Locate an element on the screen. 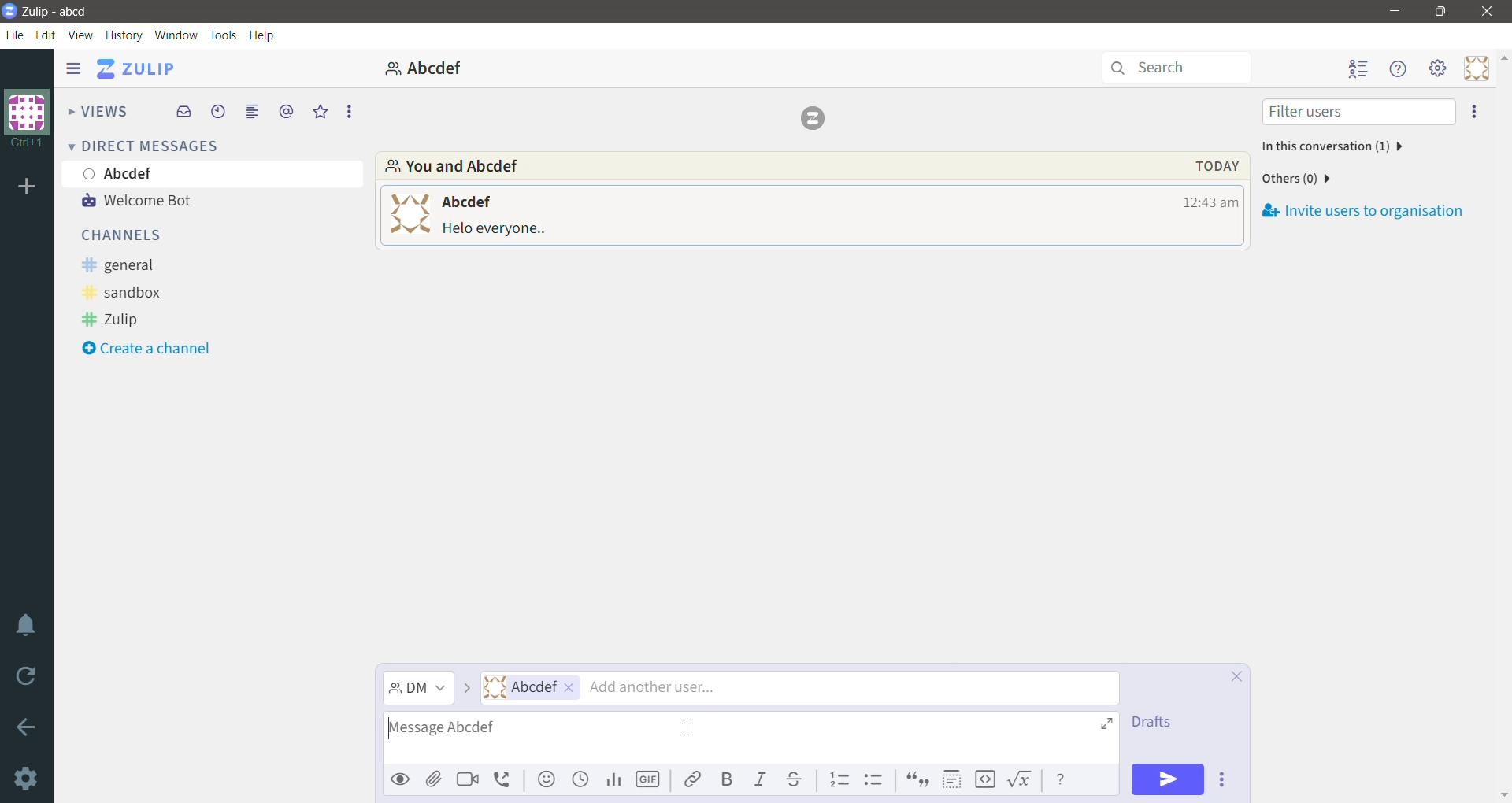 The height and width of the screenshot is (803, 1512). Code is located at coordinates (986, 780).